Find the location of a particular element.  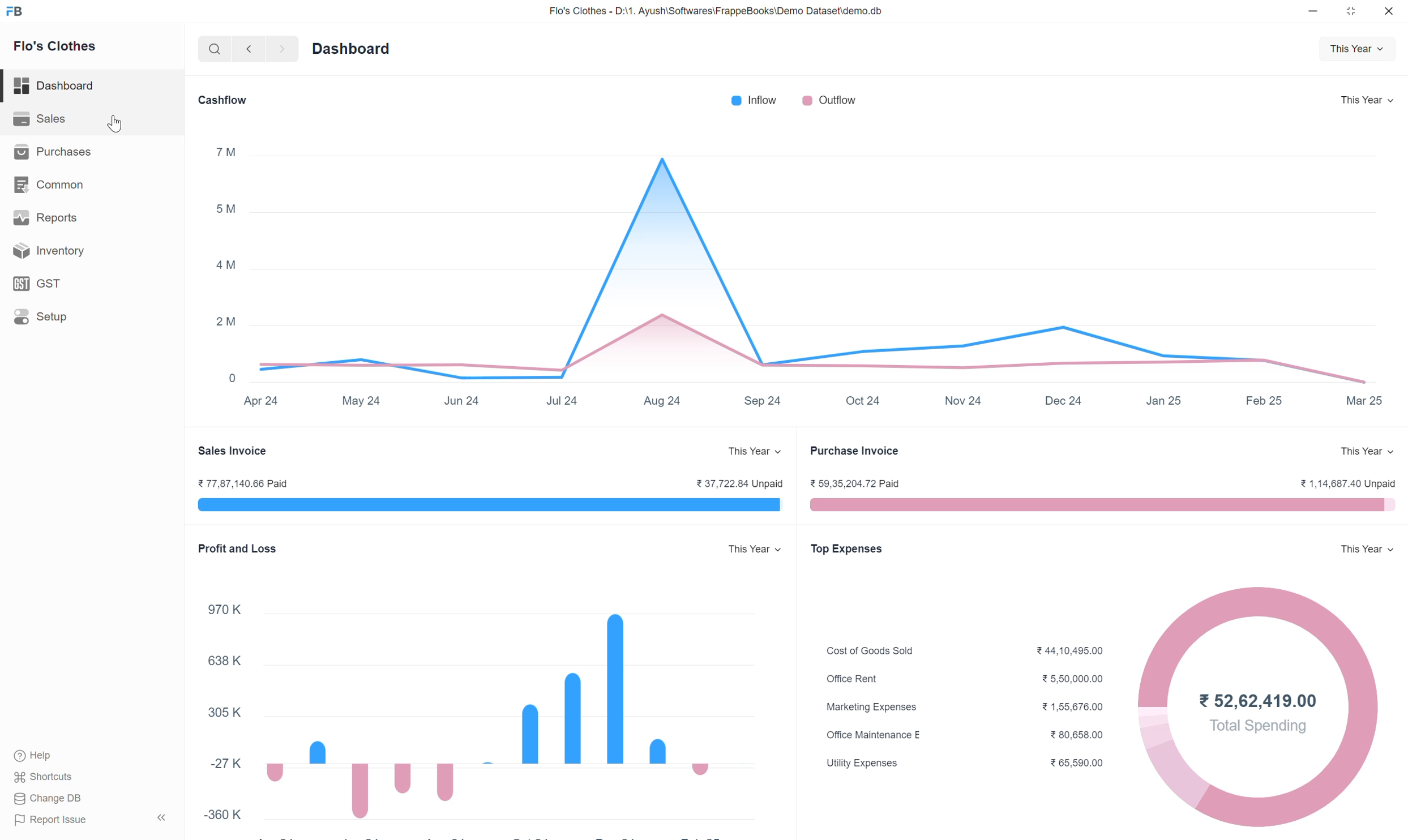

¥77,87,140.66 Paid is located at coordinates (247, 482).